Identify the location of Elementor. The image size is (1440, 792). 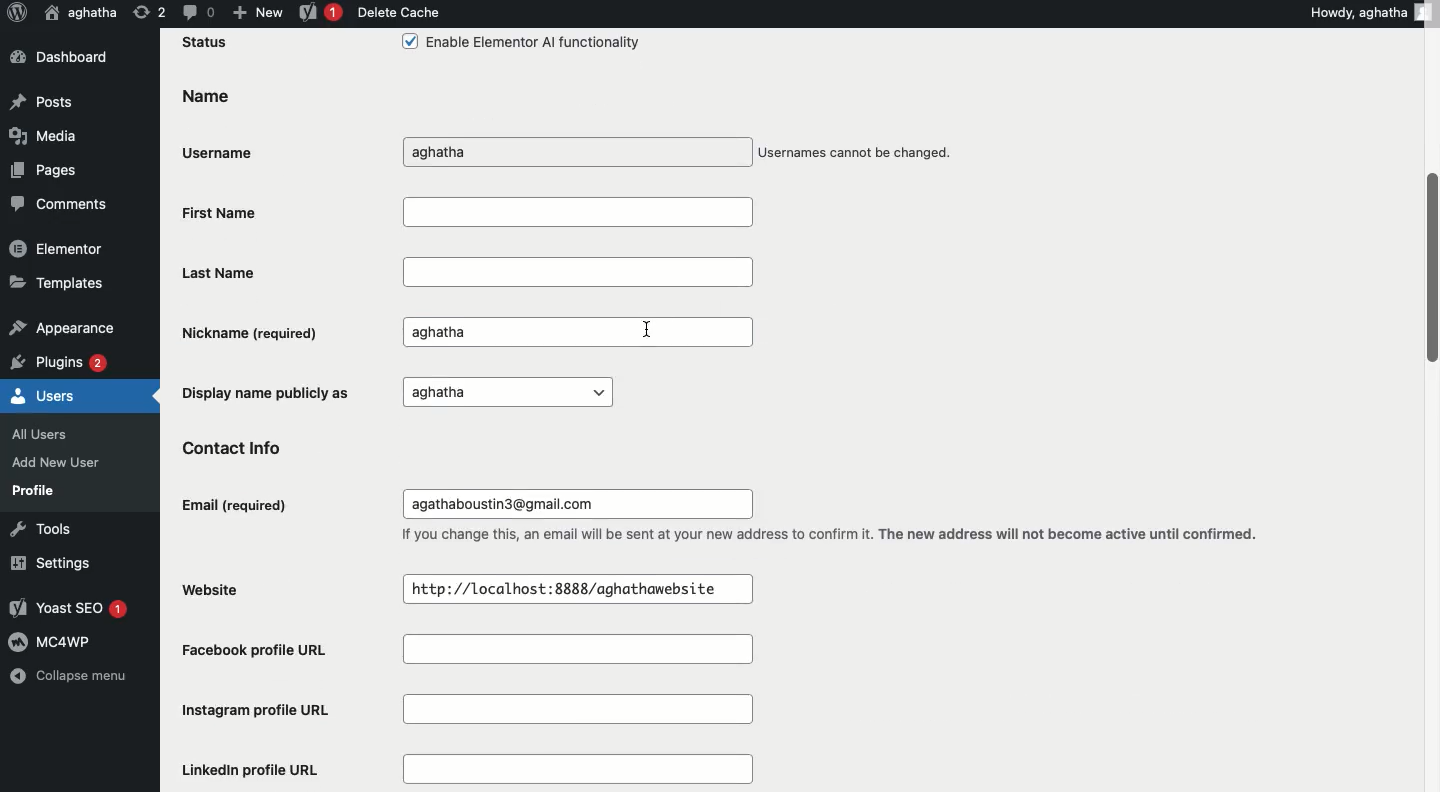
(58, 247).